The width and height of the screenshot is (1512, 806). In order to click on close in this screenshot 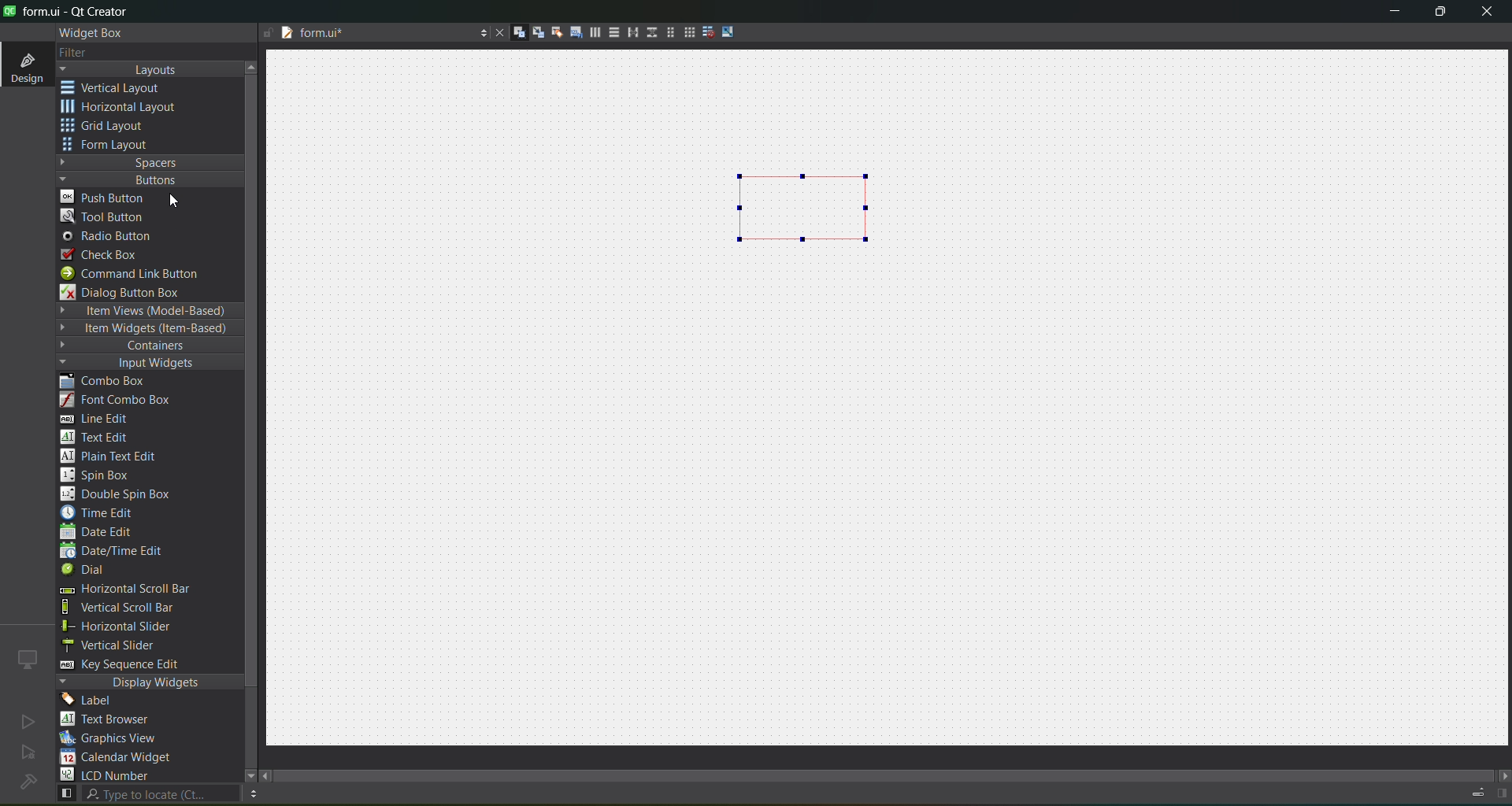, I will do `click(1487, 13)`.